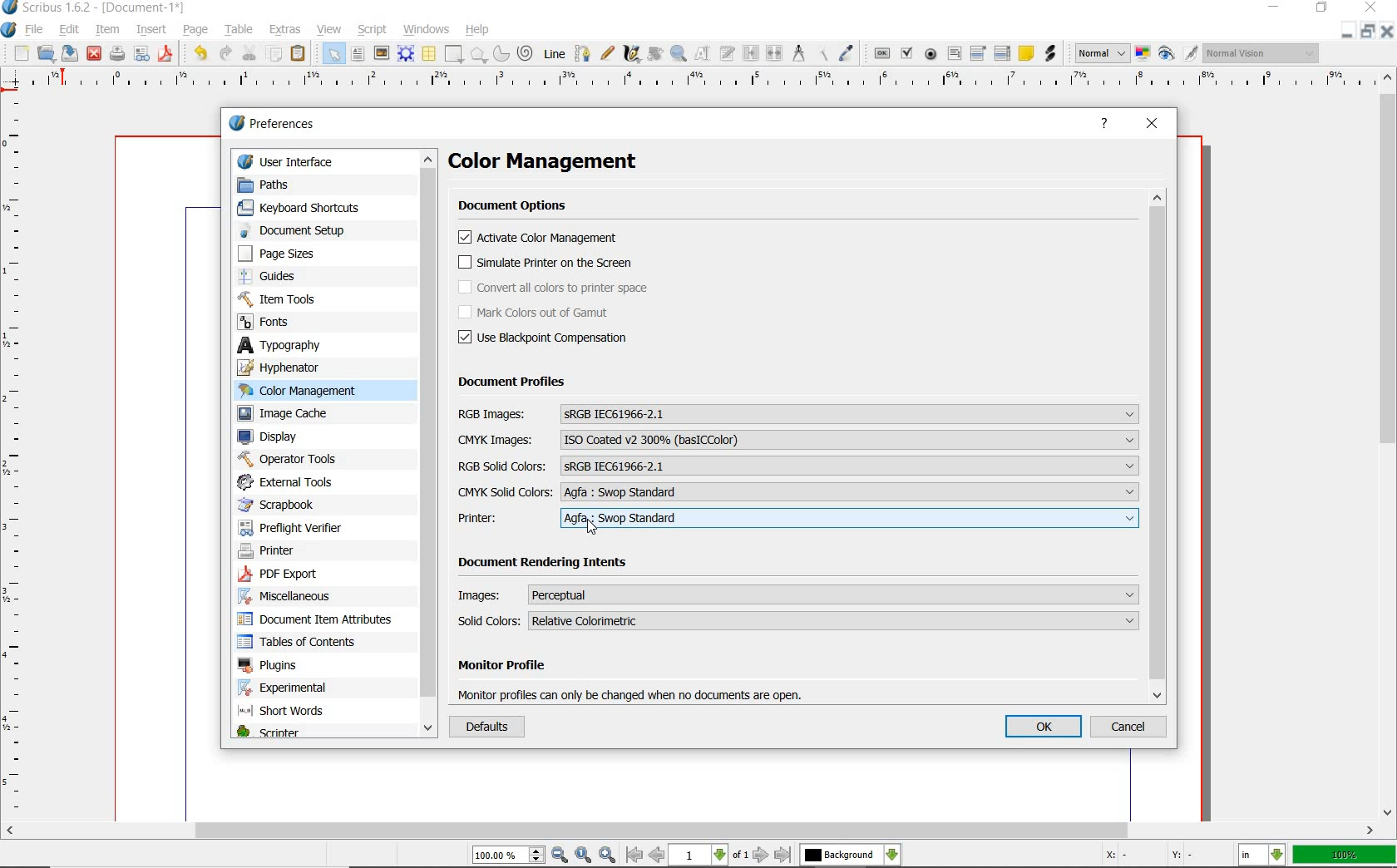 The image size is (1397, 868). What do you see at coordinates (1132, 727) in the screenshot?
I see `CANCEL` at bounding box center [1132, 727].